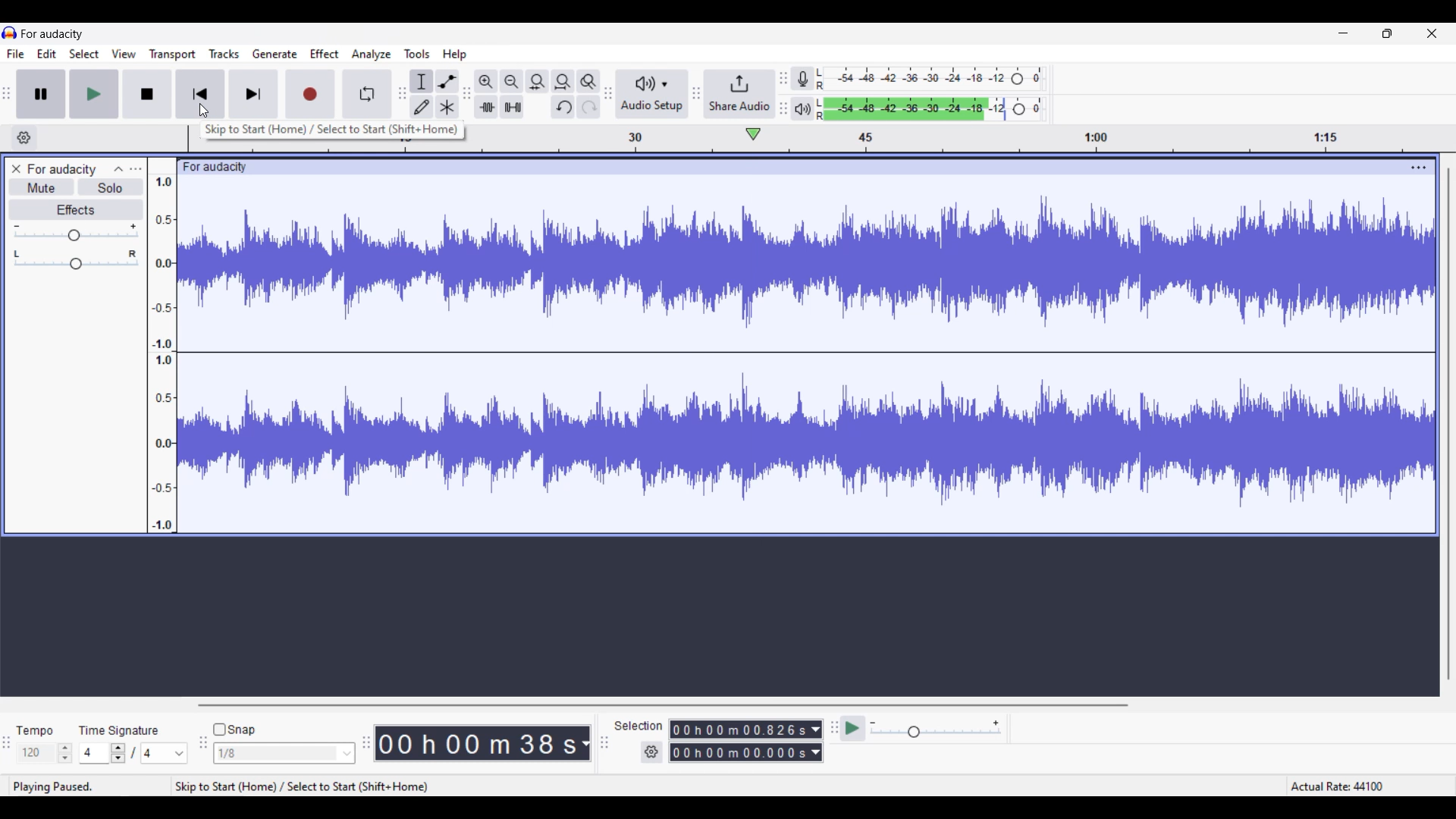 This screenshot has width=1456, height=819. What do you see at coordinates (790, 167) in the screenshot?
I see `click to drag` at bounding box center [790, 167].